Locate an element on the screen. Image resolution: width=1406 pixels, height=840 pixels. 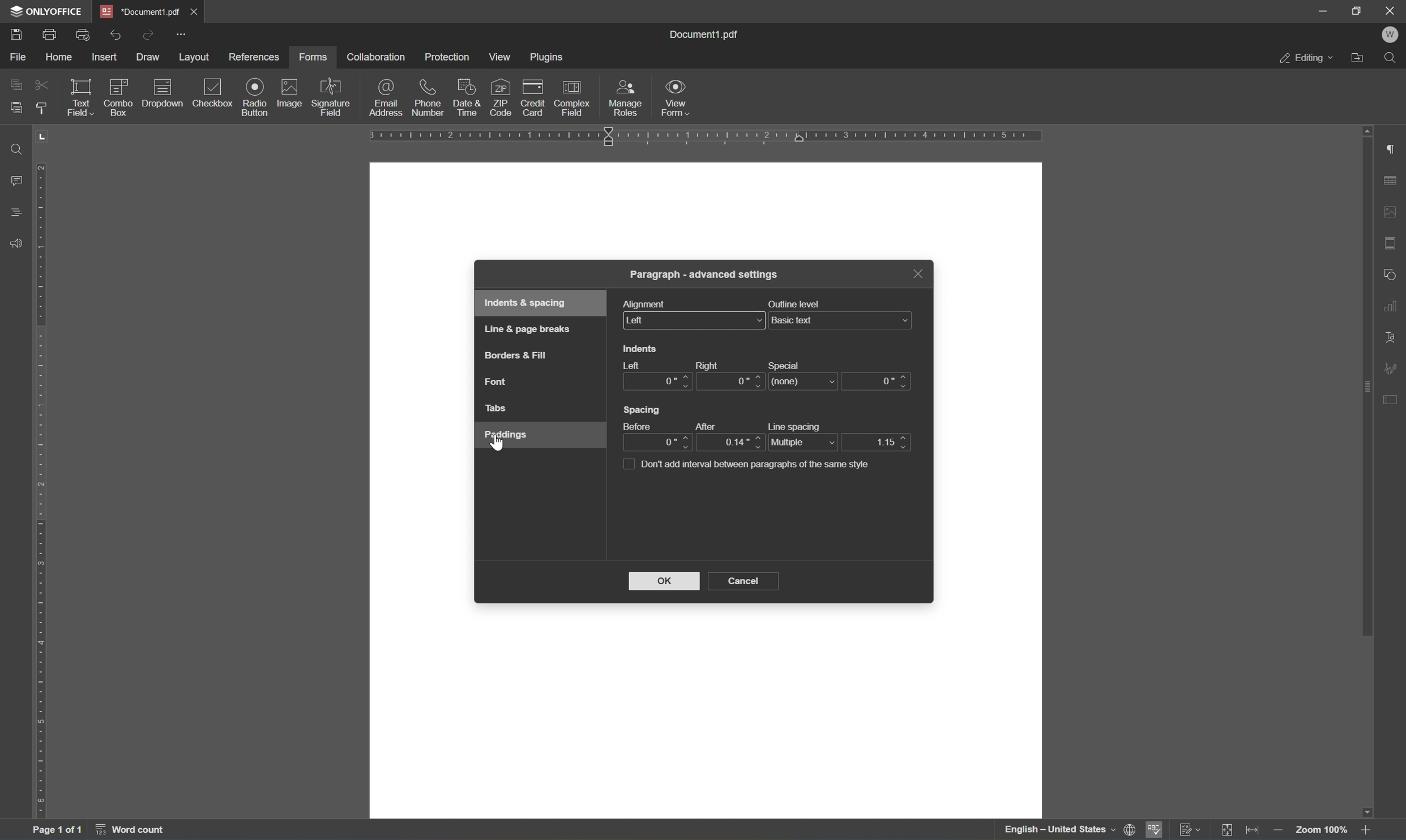
close is located at coordinates (917, 274).